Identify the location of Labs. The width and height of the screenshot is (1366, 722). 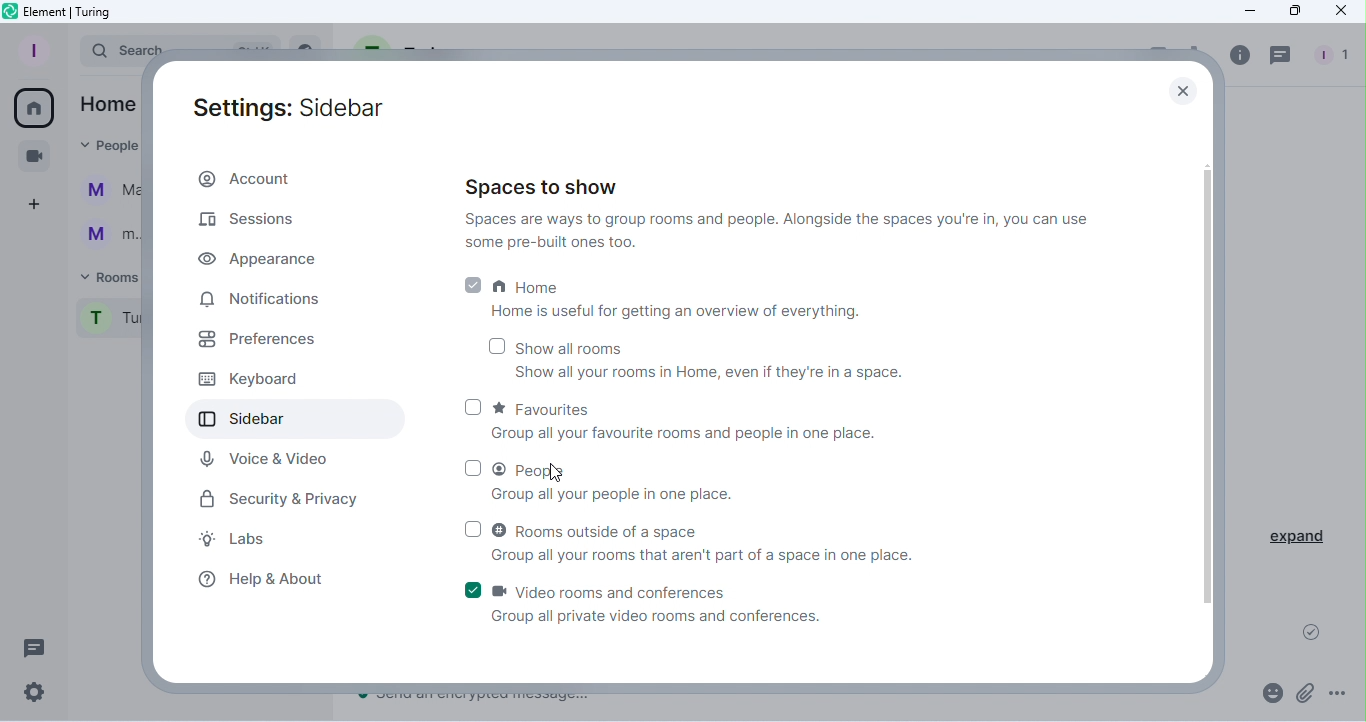
(239, 538).